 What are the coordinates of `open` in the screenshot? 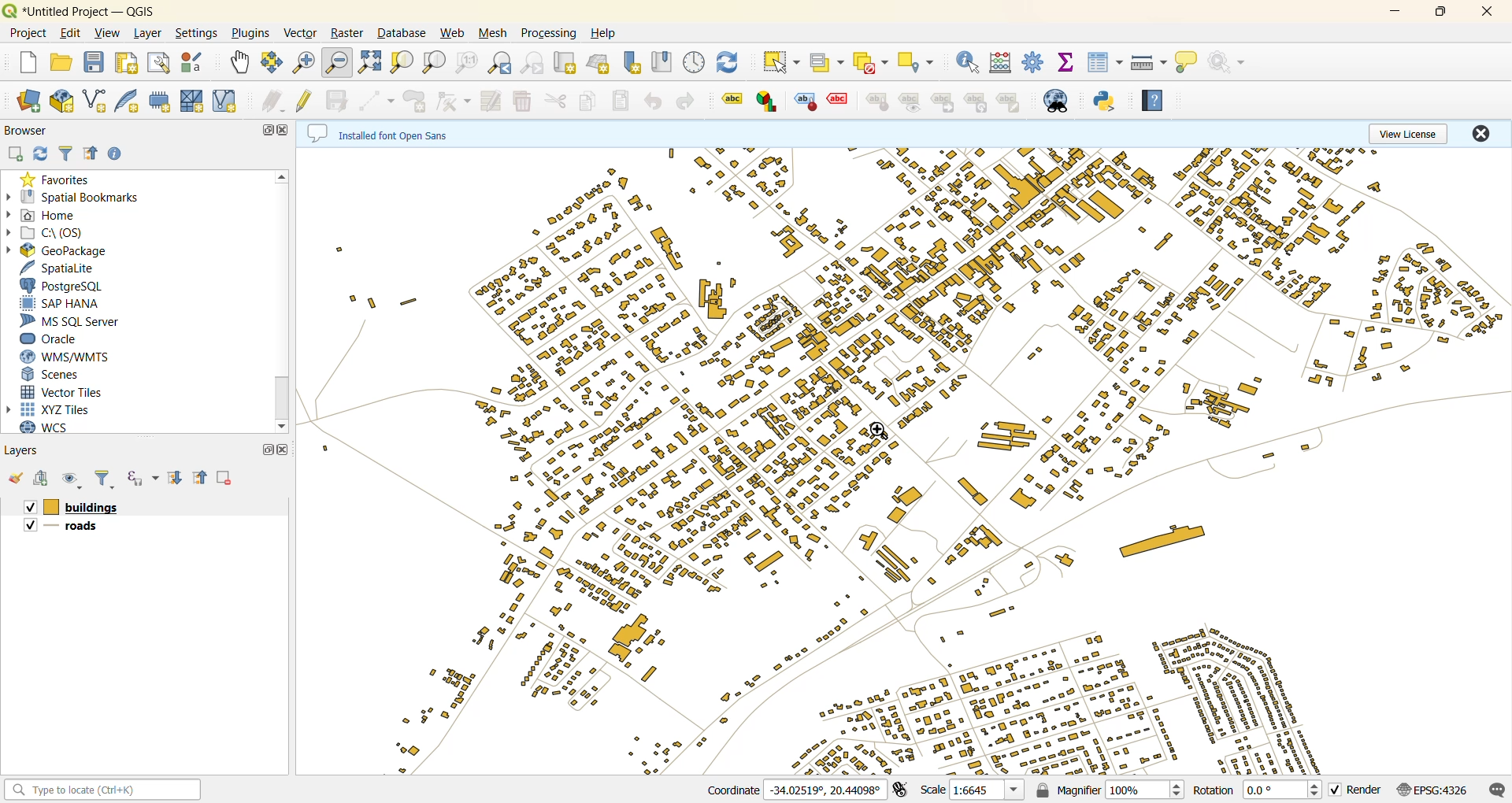 It's located at (18, 479).